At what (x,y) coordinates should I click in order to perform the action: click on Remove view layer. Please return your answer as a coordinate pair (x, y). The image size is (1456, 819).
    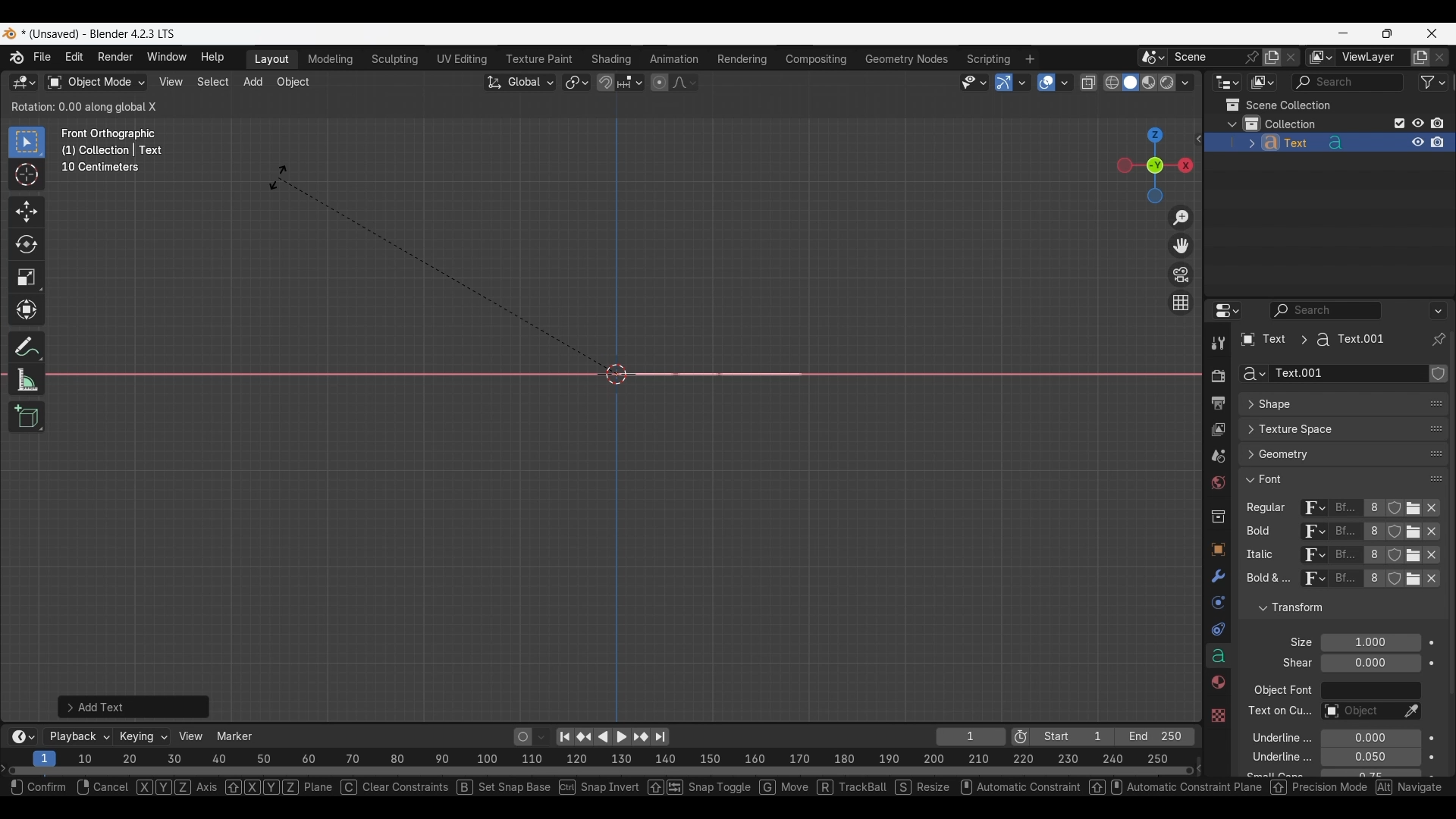
    Looking at the image, I should click on (1440, 57).